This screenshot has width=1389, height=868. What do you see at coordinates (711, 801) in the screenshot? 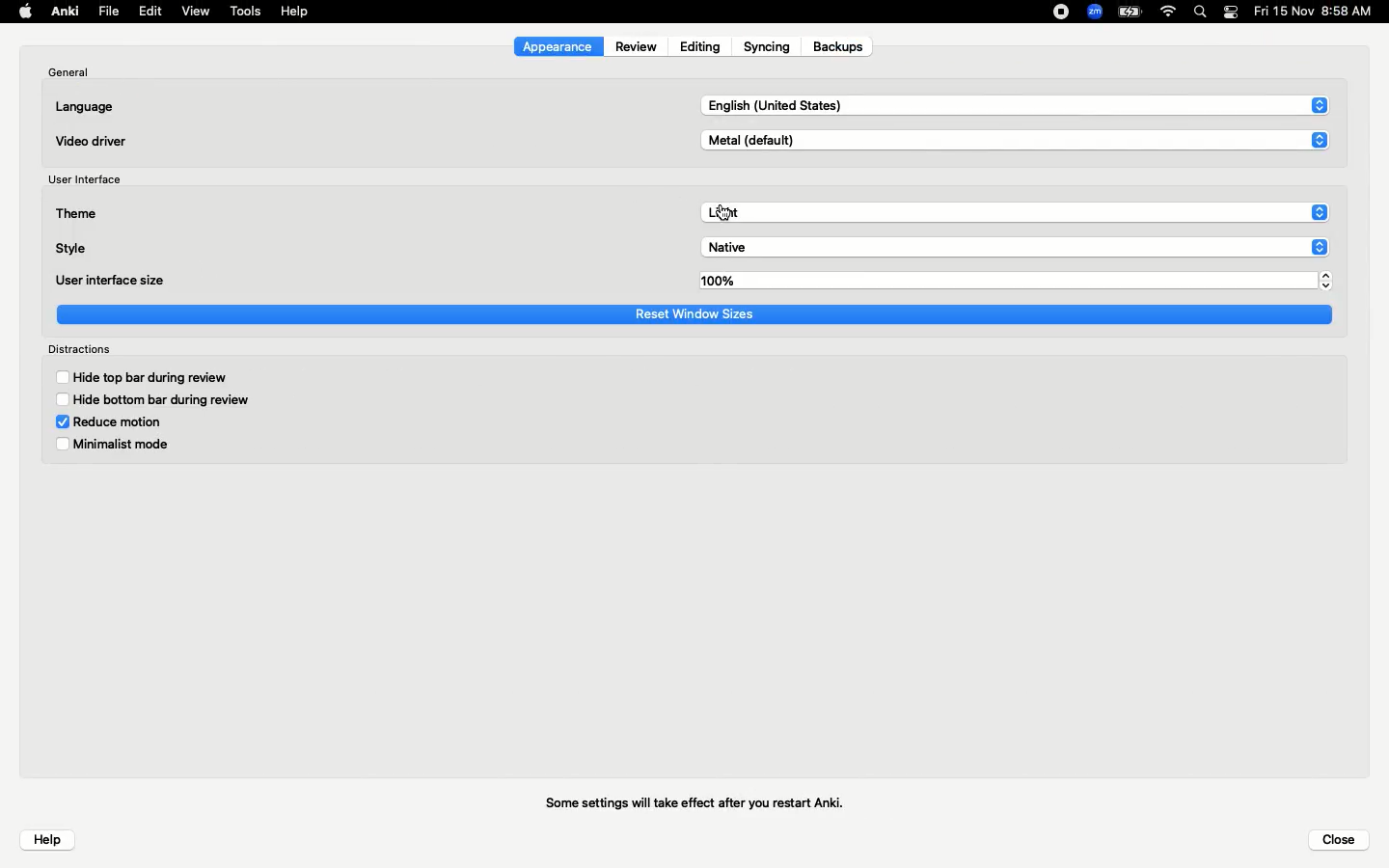
I see `Some settings will take effect after you restart Anki` at bounding box center [711, 801].